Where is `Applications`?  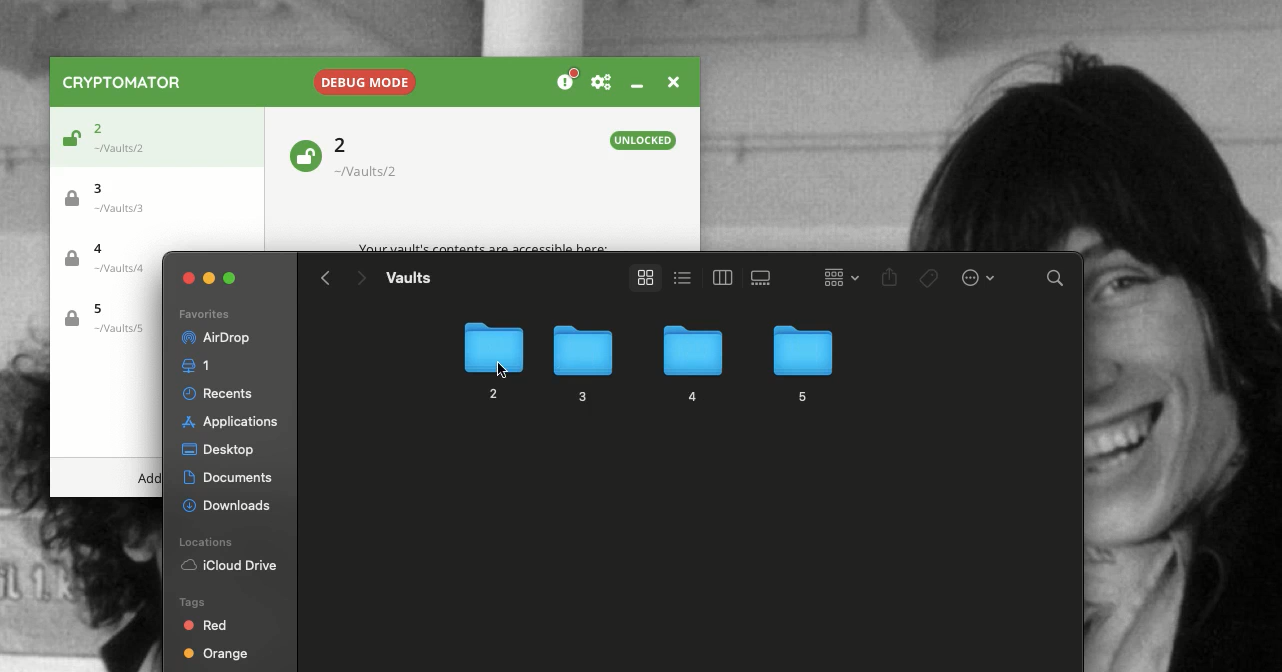
Applications is located at coordinates (227, 422).